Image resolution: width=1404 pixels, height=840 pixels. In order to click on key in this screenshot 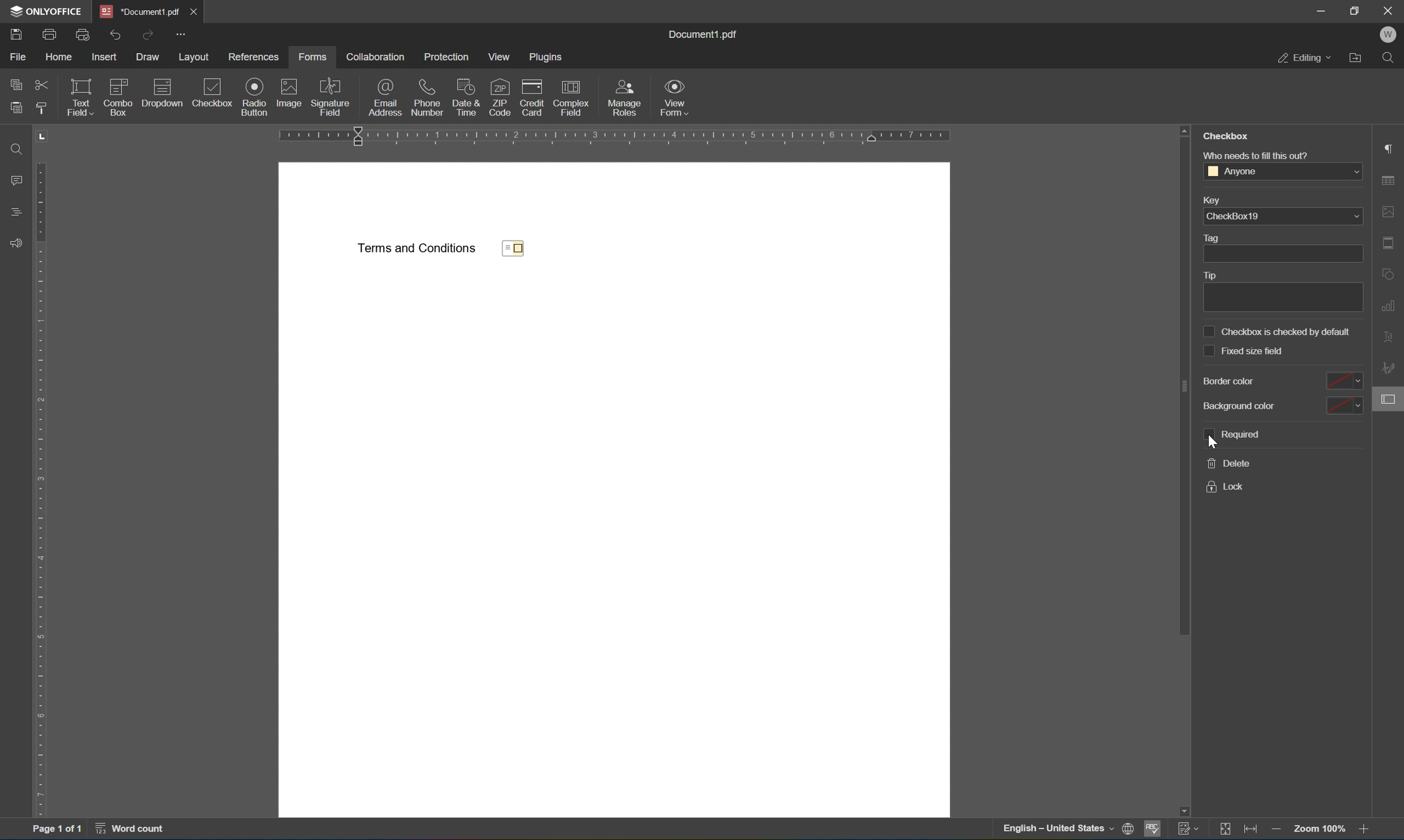, I will do `click(1213, 199)`.